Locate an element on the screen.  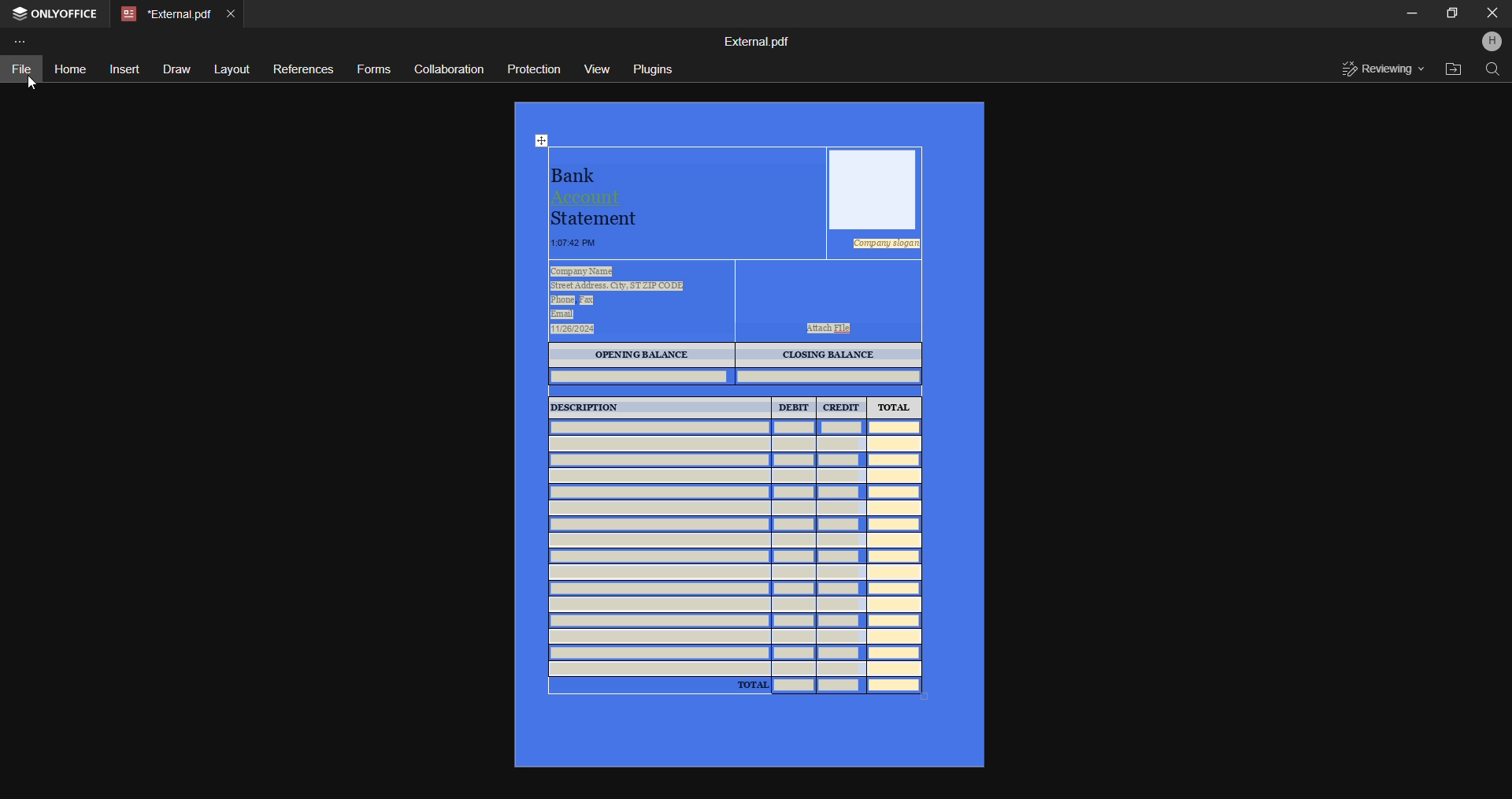
Collaboration is located at coordinates (447, 70).